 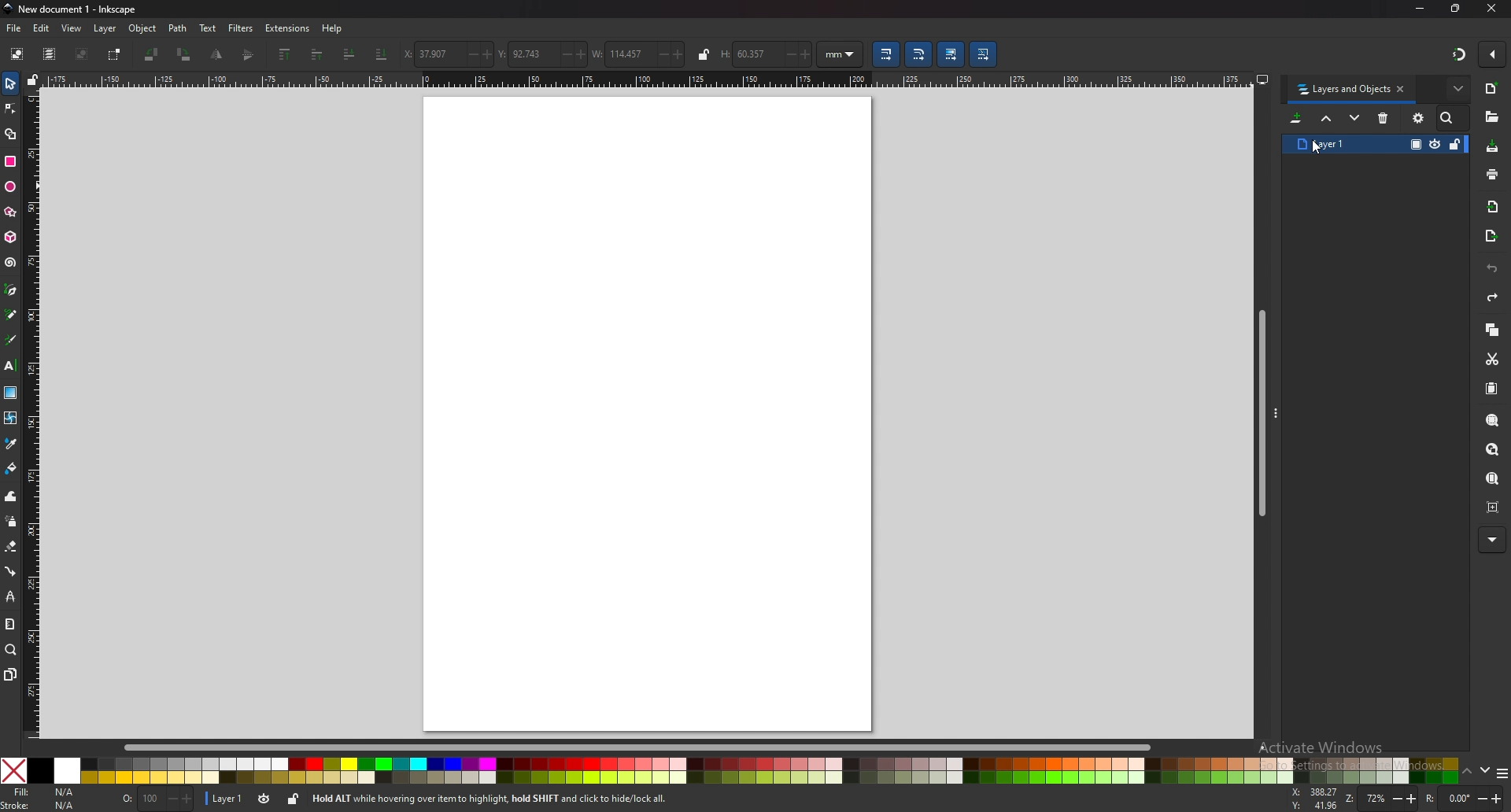 What do you see at coordinates (1354, 116) in the screenshot?
I see `move down` at bounding box center [1354, 116].